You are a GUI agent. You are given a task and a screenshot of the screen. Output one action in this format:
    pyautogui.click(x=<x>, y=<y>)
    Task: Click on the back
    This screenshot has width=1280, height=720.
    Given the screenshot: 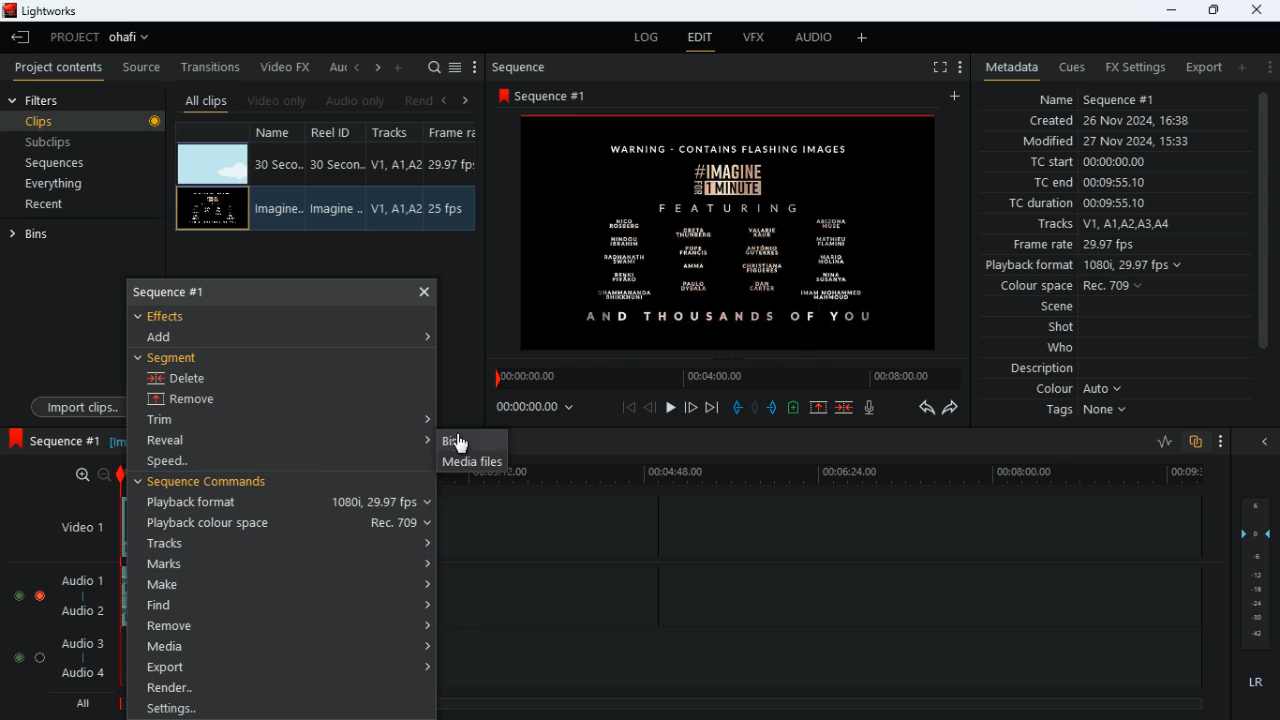 What is the action you would take?
    pyautogui.click(x=651, y=408)
    